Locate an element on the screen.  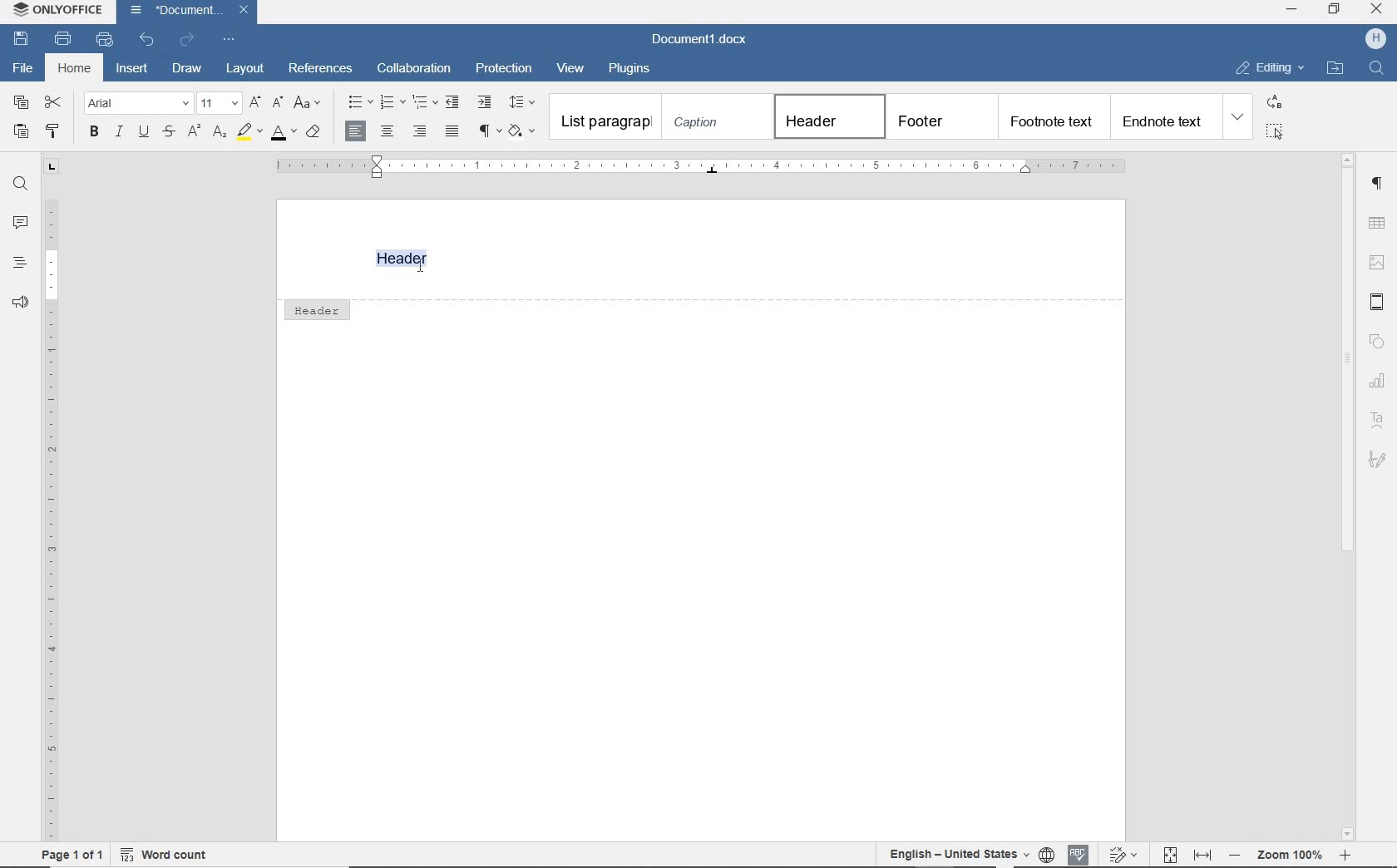
SHAPE is located at coordinates (1376, 340).